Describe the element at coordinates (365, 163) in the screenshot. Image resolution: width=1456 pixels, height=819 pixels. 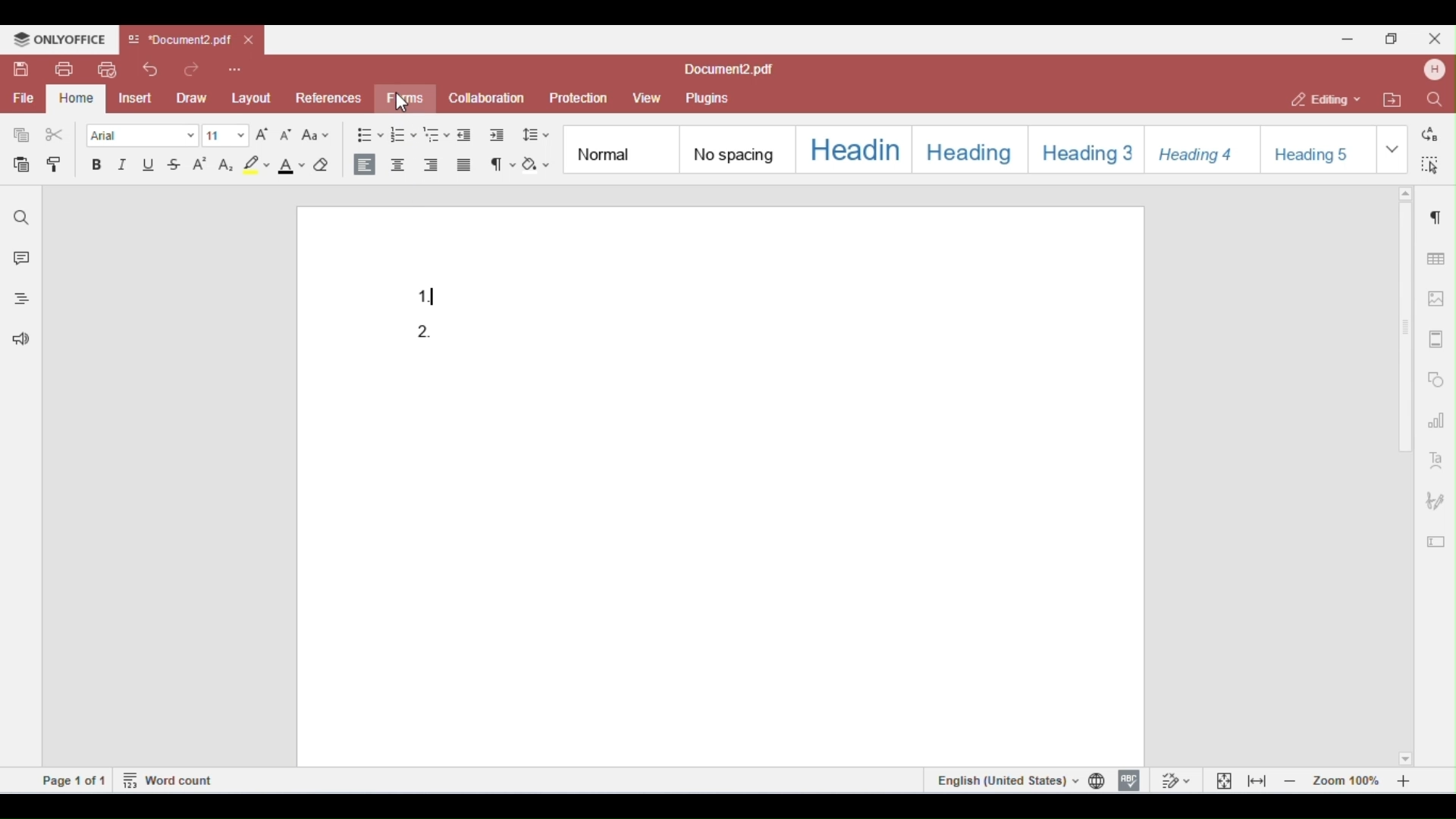
I see `align left` at that location.